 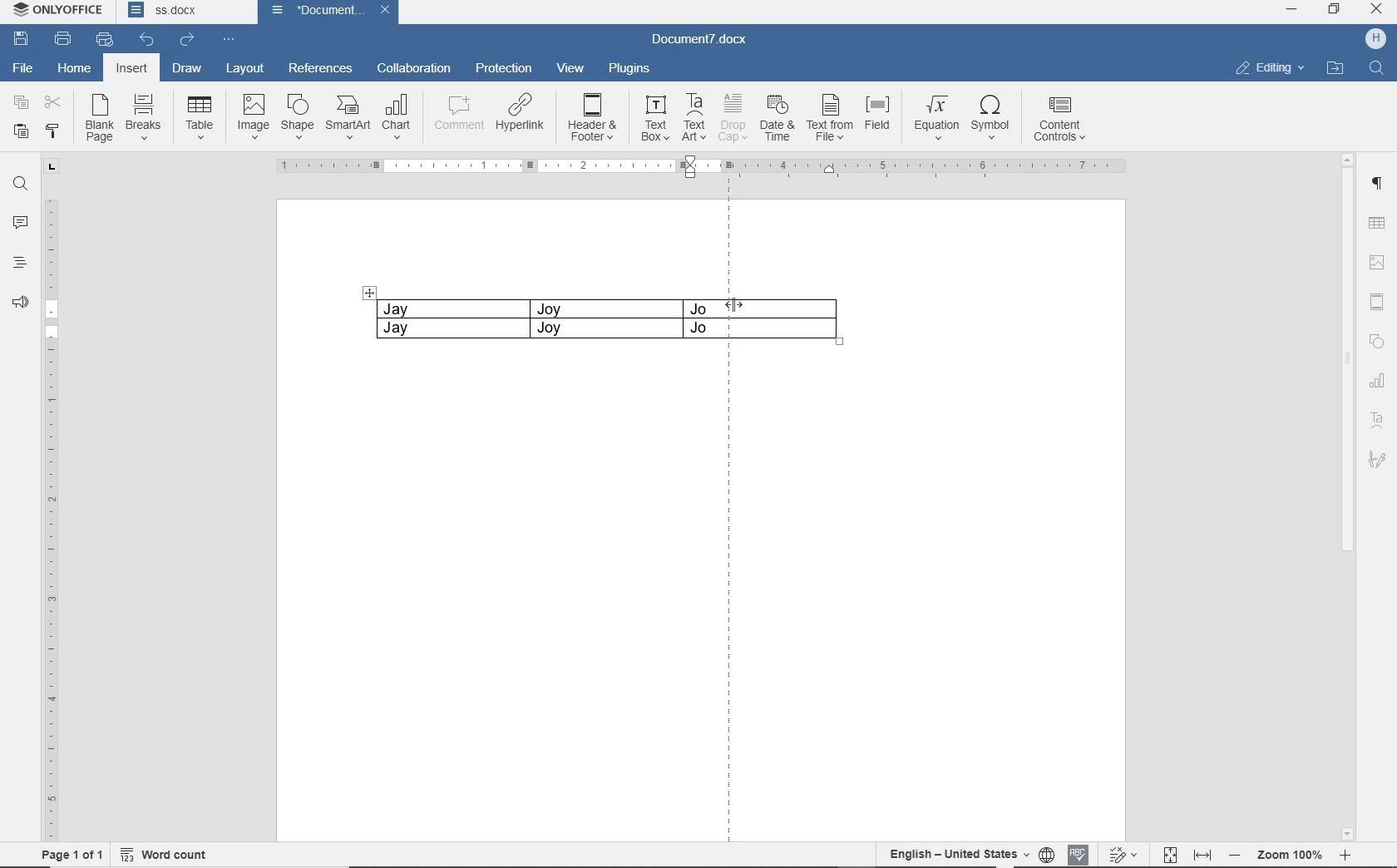 What do you see at coordinates (200, 118) in the screenshot?
I see `TABLE` at bounding box center [200, 118].